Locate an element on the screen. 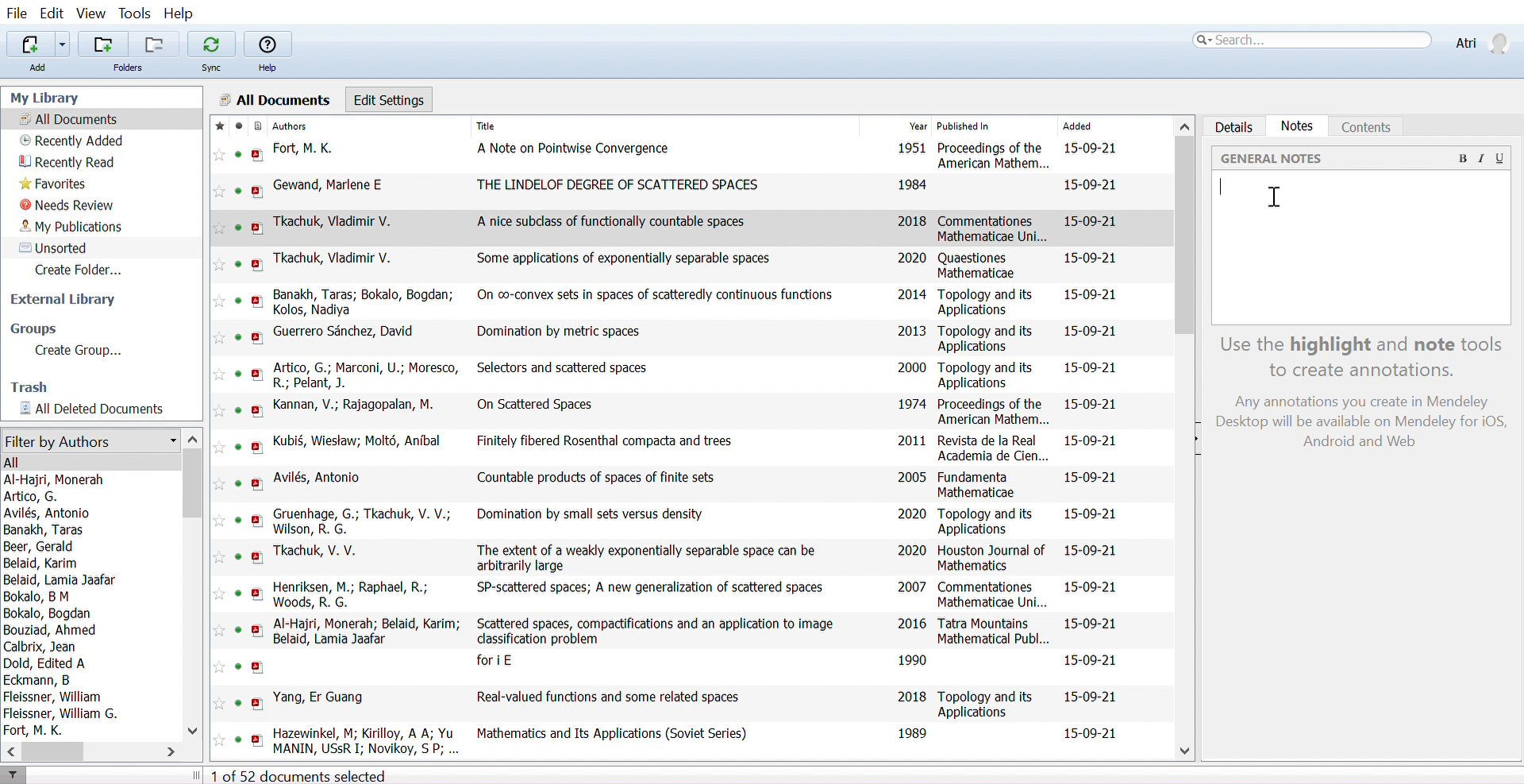  A nice subclass of functionally countable spaces is located at coordinates (612, 221).